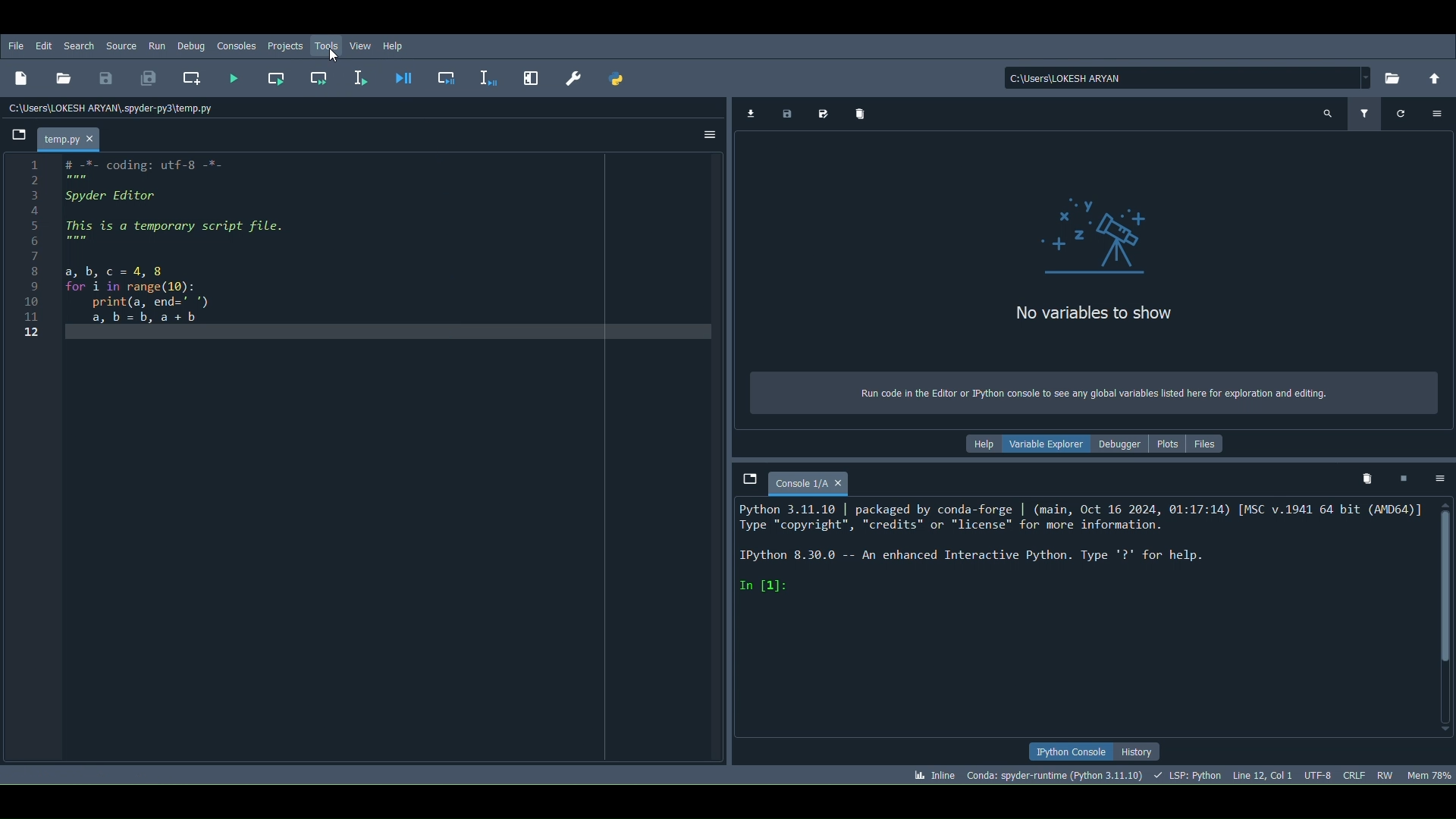  Describe the element at coordinates (785, 111) in the screenshot. I see `Save data` at that location.